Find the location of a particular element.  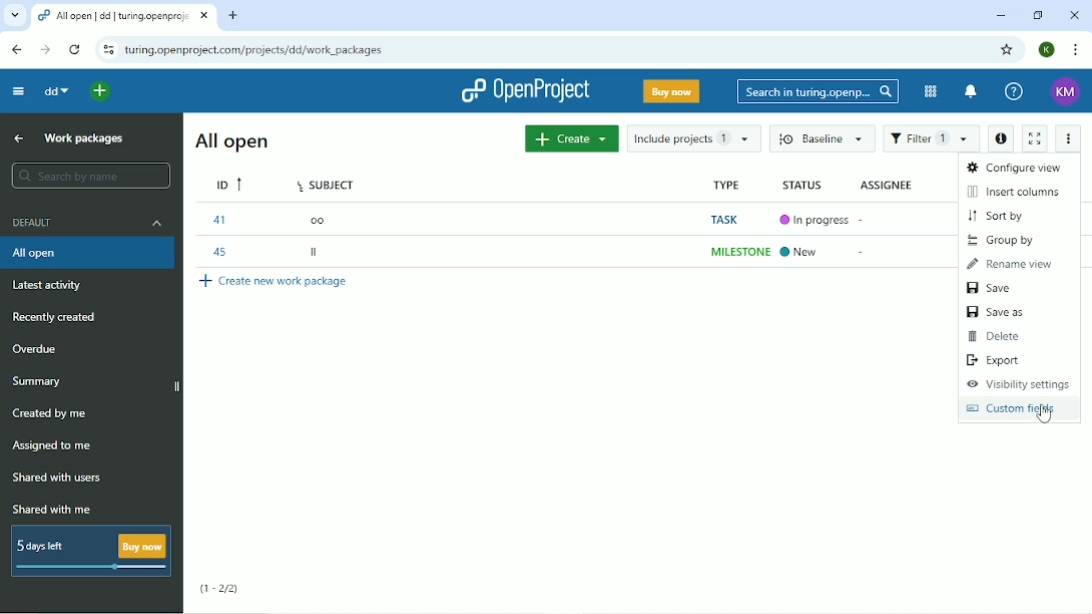

Minimize is located at coordinates (1001, 16).